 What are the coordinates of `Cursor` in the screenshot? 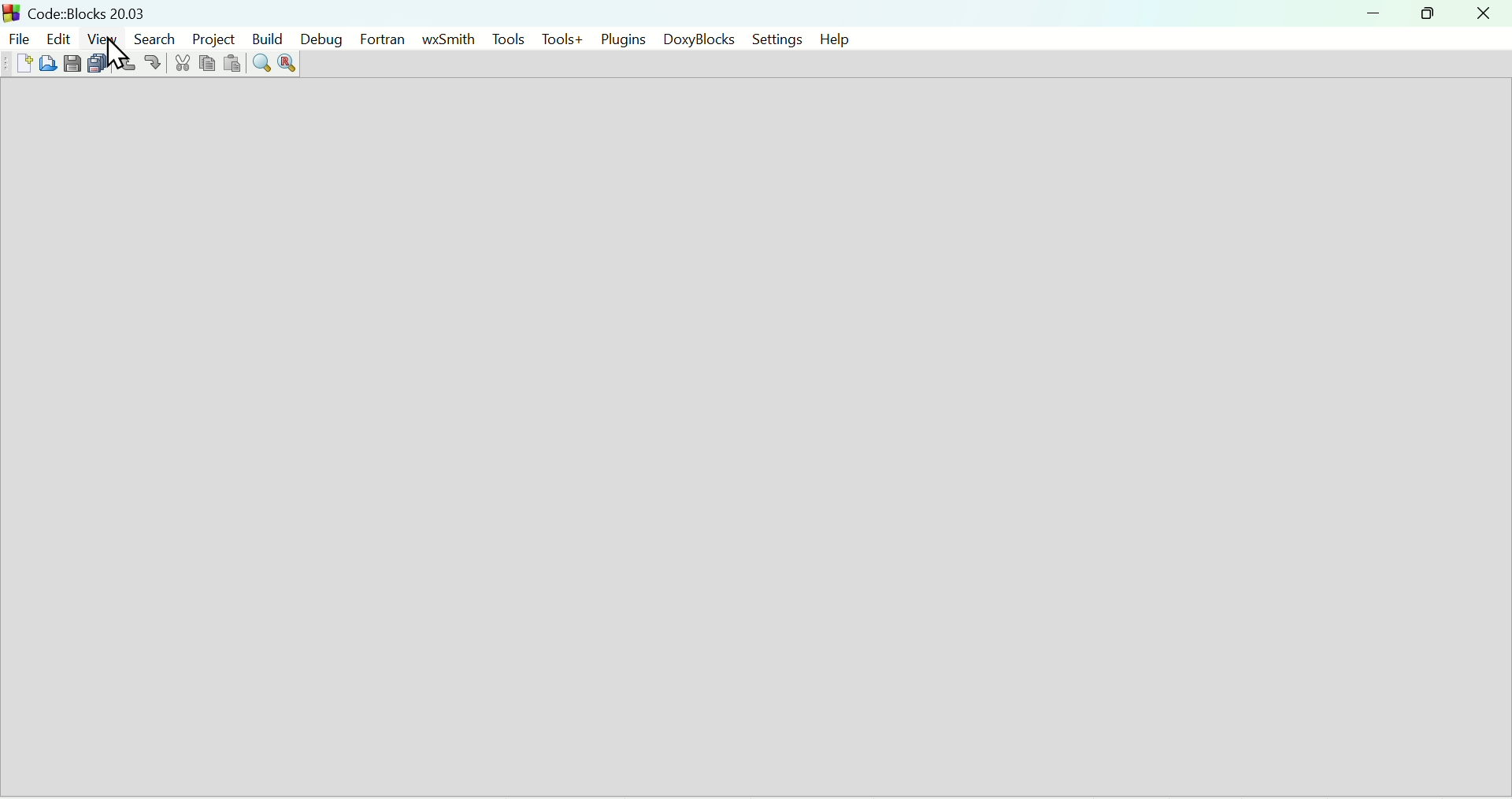 It's located at (113, 58).